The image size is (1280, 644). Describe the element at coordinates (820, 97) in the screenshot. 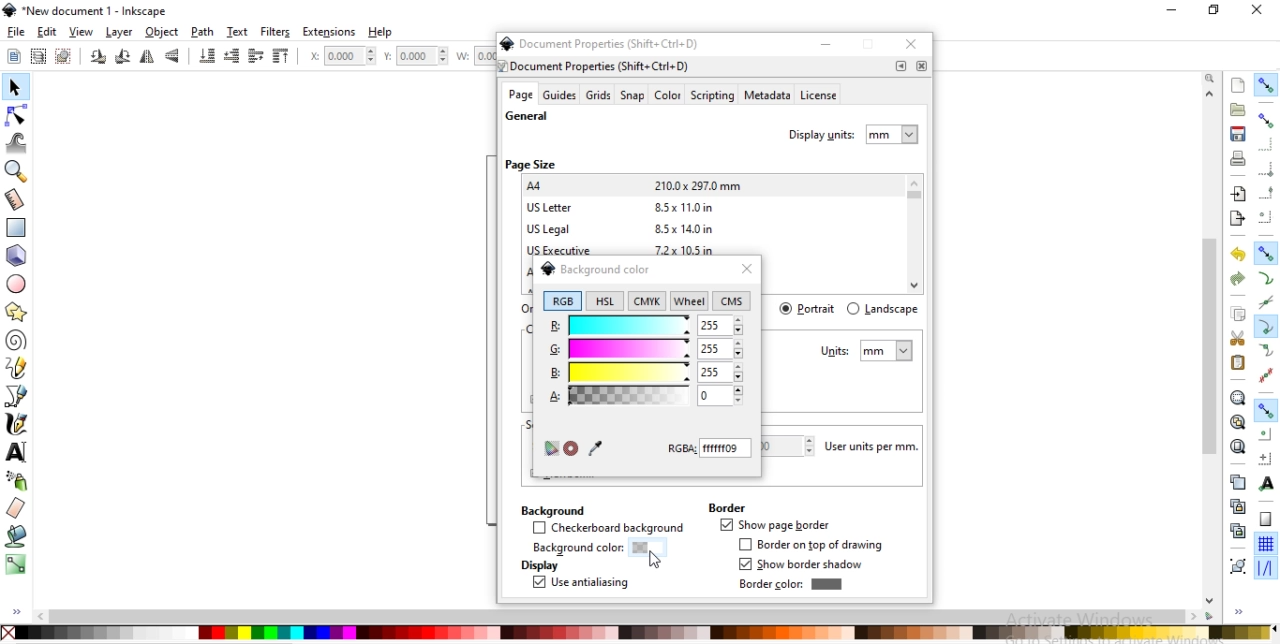

I see `license` at that location.